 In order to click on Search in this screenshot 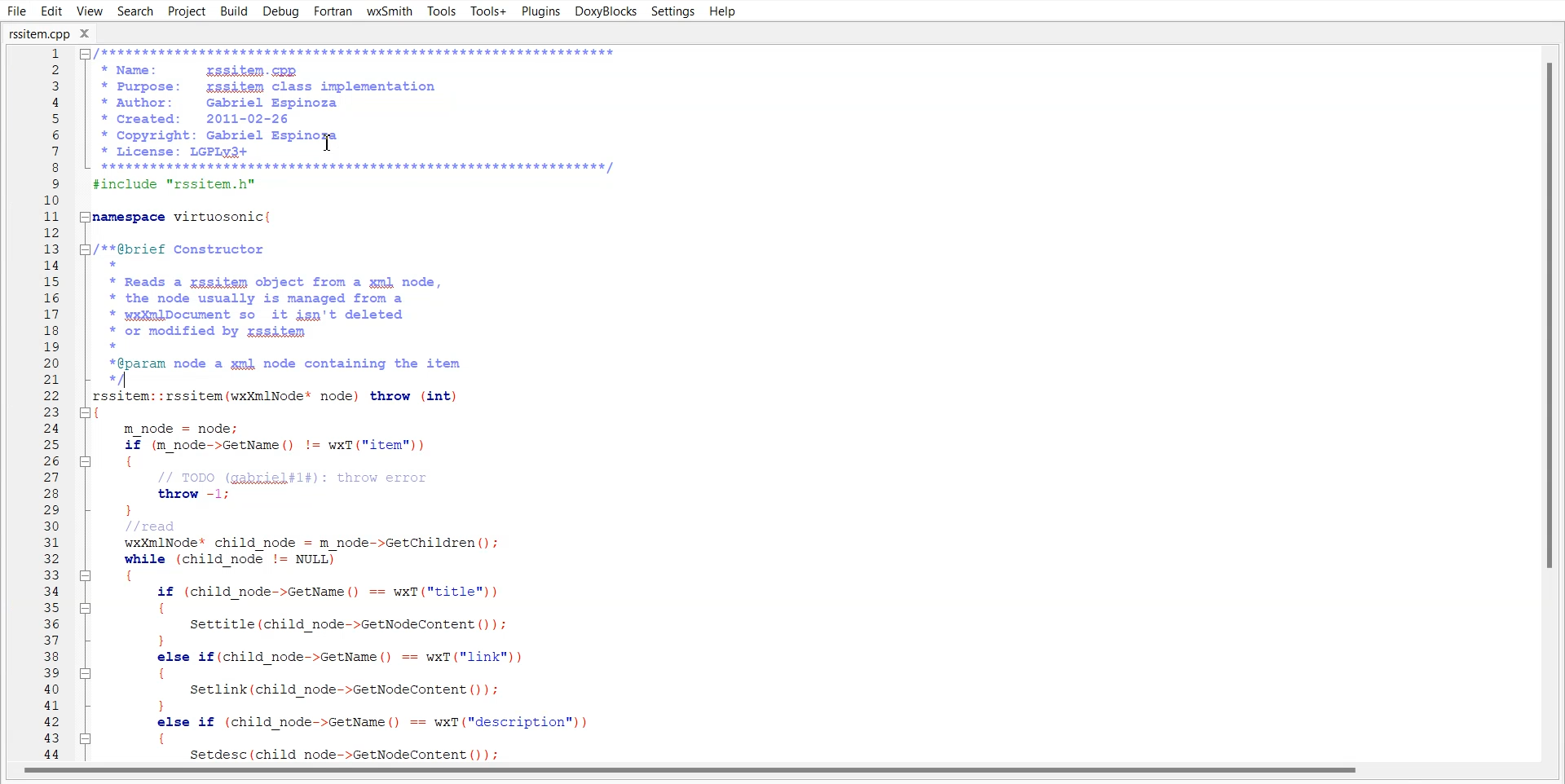, I will do `click(135, 11)`.